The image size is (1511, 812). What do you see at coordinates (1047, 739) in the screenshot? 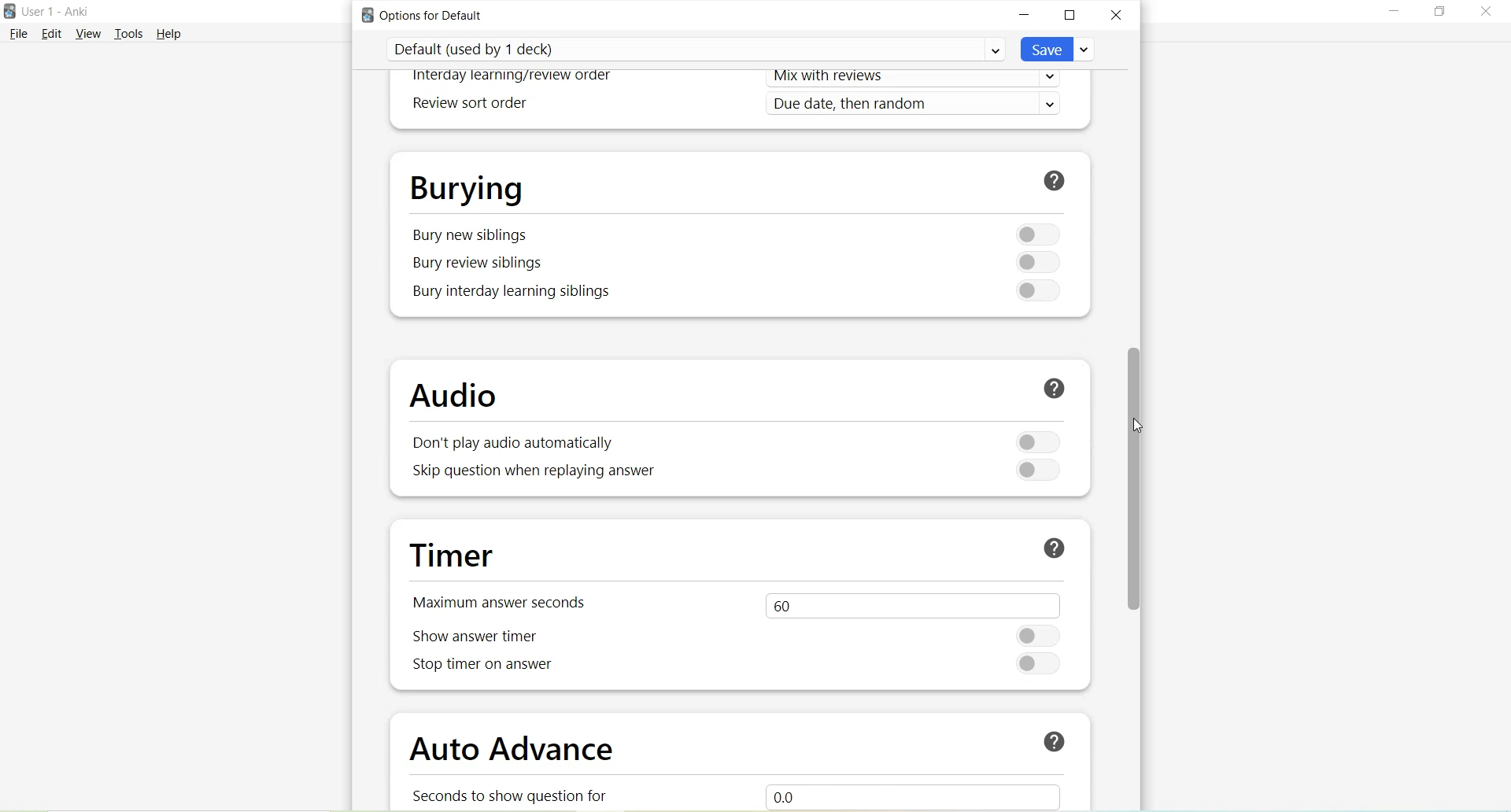
I see `What's this?` at bounding box center [1047, 739].